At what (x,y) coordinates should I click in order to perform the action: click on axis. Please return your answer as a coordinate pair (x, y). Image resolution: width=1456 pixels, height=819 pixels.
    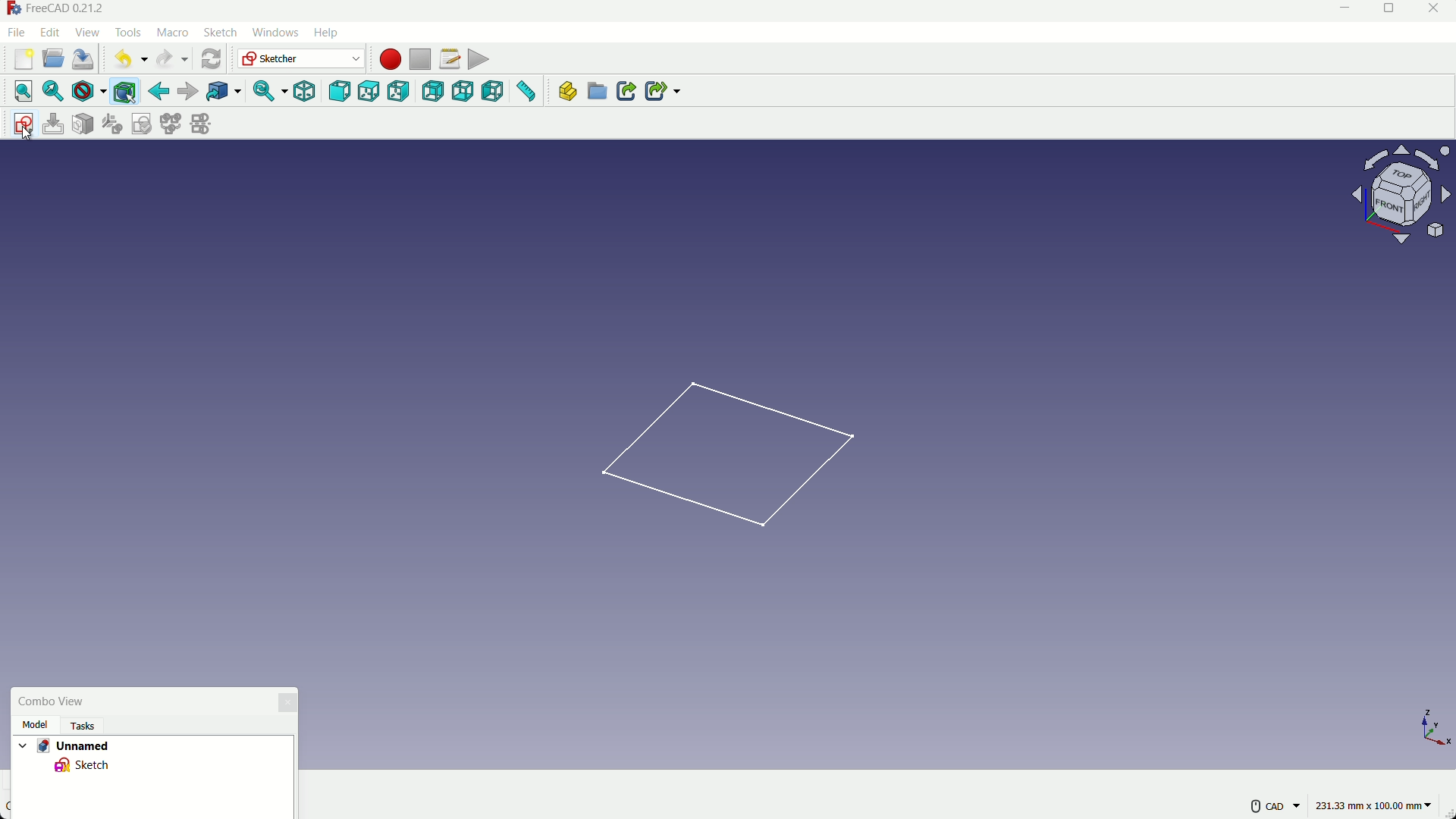
    Looking at the image, I should click on (1433, 726).